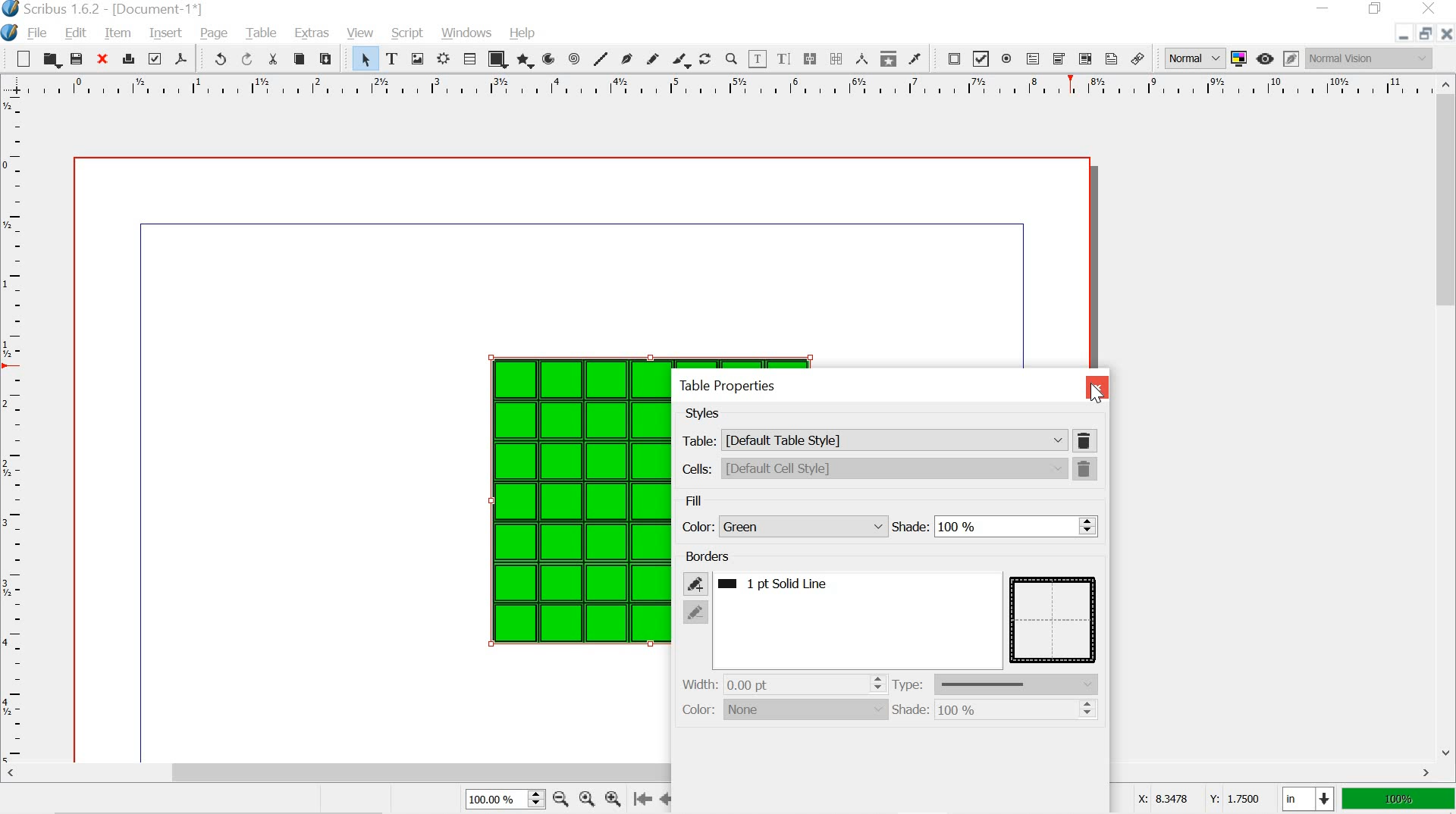  Describe the element at coordinates (626, 59) in the screenshot. I see `bezier curve` at that location.